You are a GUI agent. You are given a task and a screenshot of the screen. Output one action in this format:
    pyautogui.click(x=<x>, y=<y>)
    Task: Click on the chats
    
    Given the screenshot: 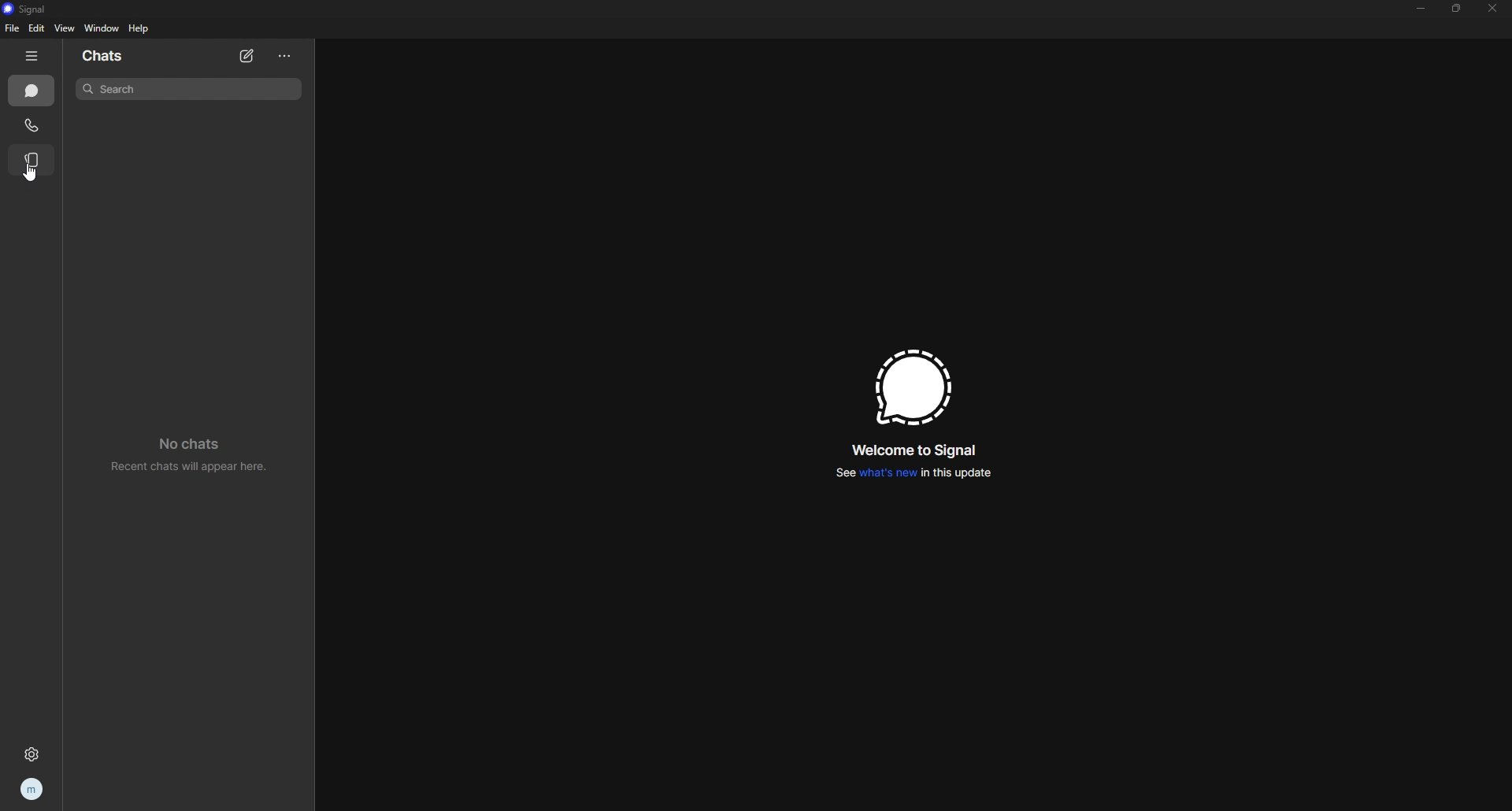 What is the action you would take?
    pyautogui.click(x=117, y=56)
    